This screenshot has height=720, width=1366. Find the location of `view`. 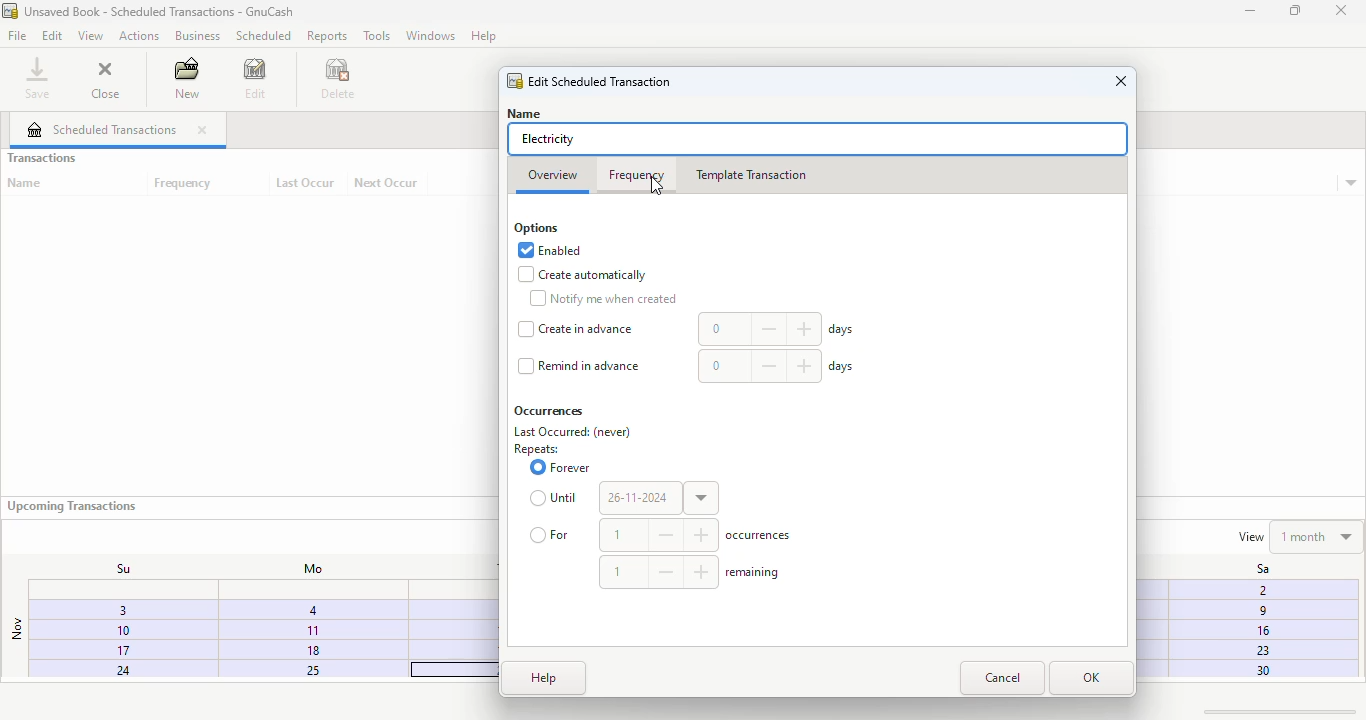

view is located at coordinates (90, 37).